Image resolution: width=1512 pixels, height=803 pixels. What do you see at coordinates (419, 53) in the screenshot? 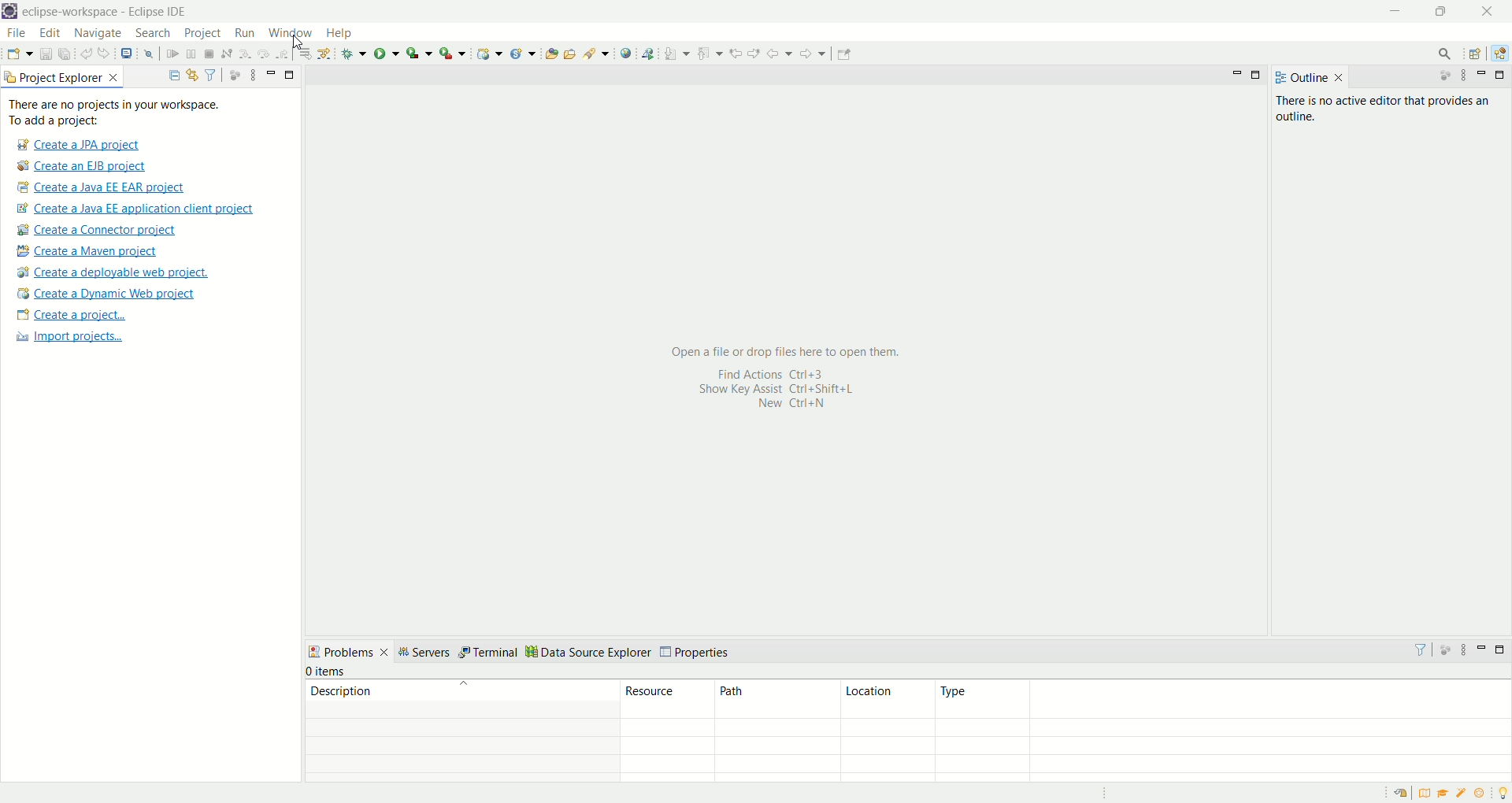
I see `coverage` at bounding box center [419, 53].